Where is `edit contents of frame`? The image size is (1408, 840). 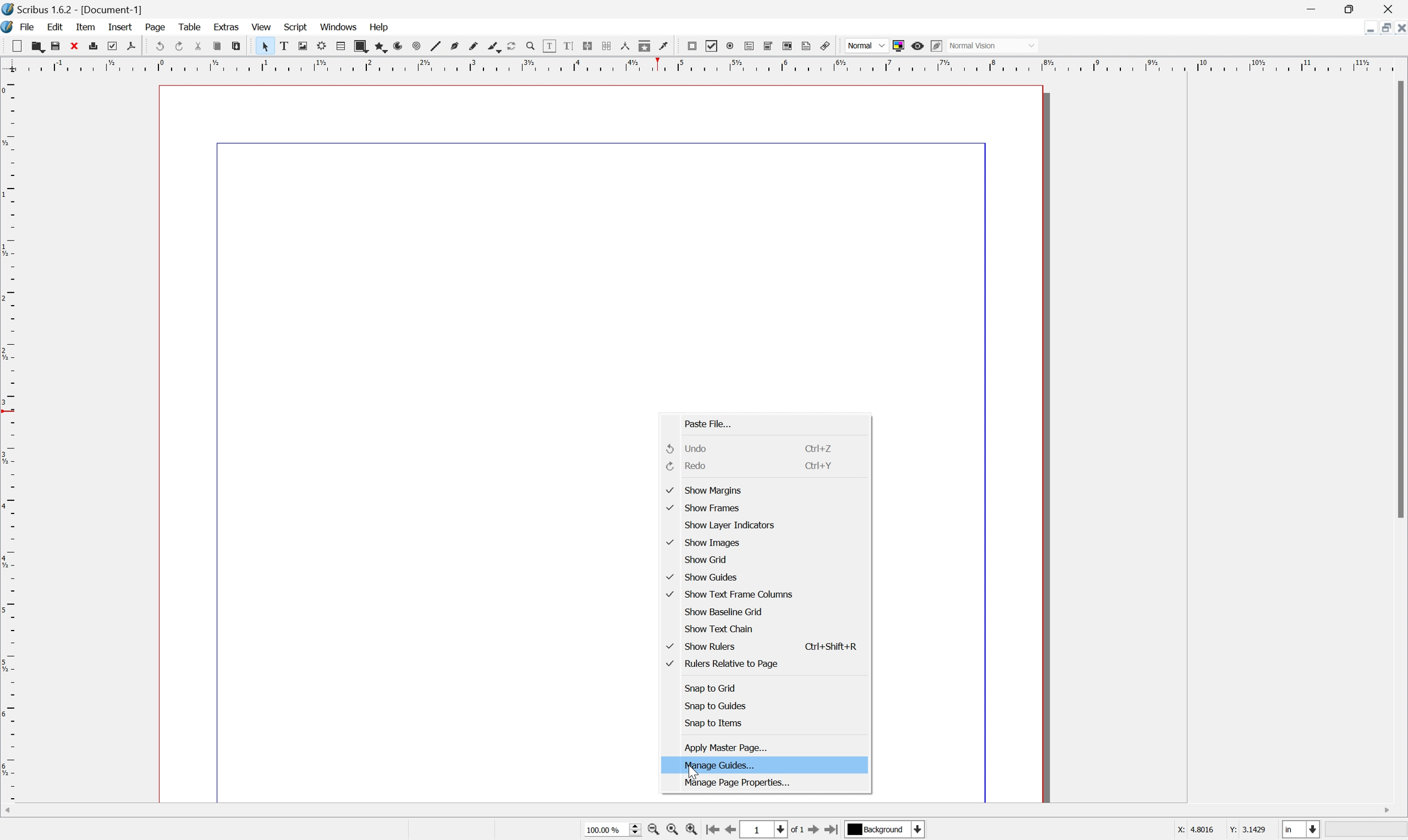
edit contents of frame is located at coordinates (549, 45).